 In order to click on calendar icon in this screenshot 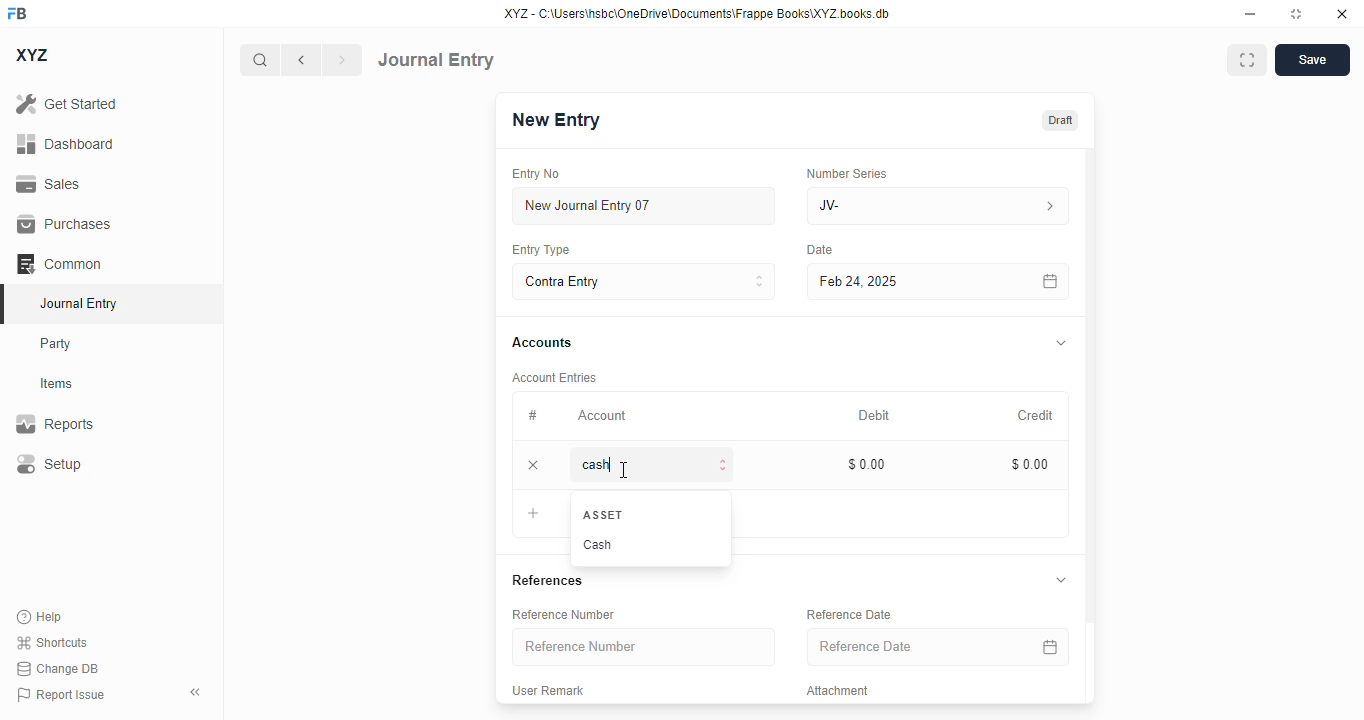, I will do `click(1049, 646)`.